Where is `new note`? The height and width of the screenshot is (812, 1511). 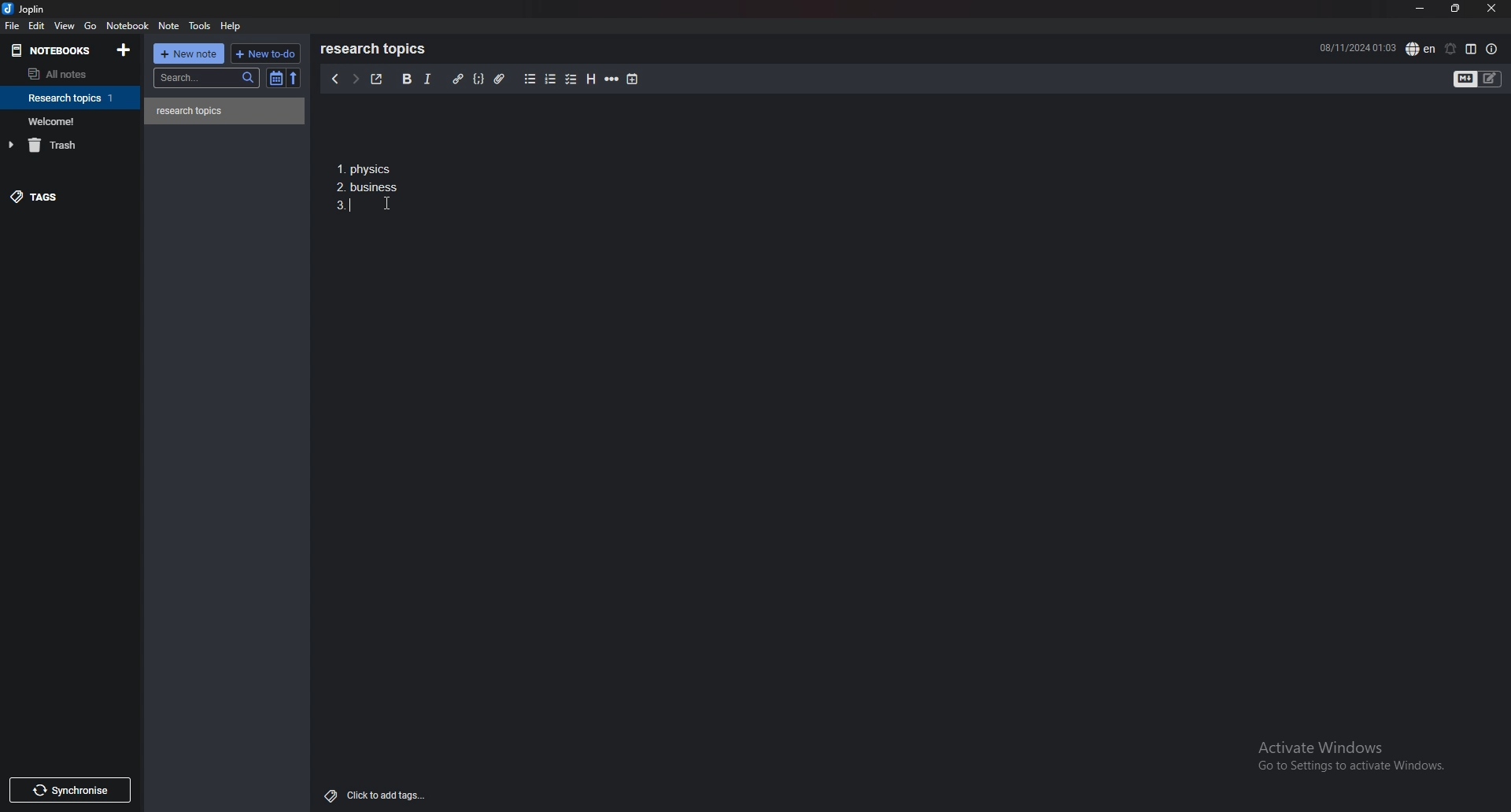
new note is located at coordinates (190, 53).